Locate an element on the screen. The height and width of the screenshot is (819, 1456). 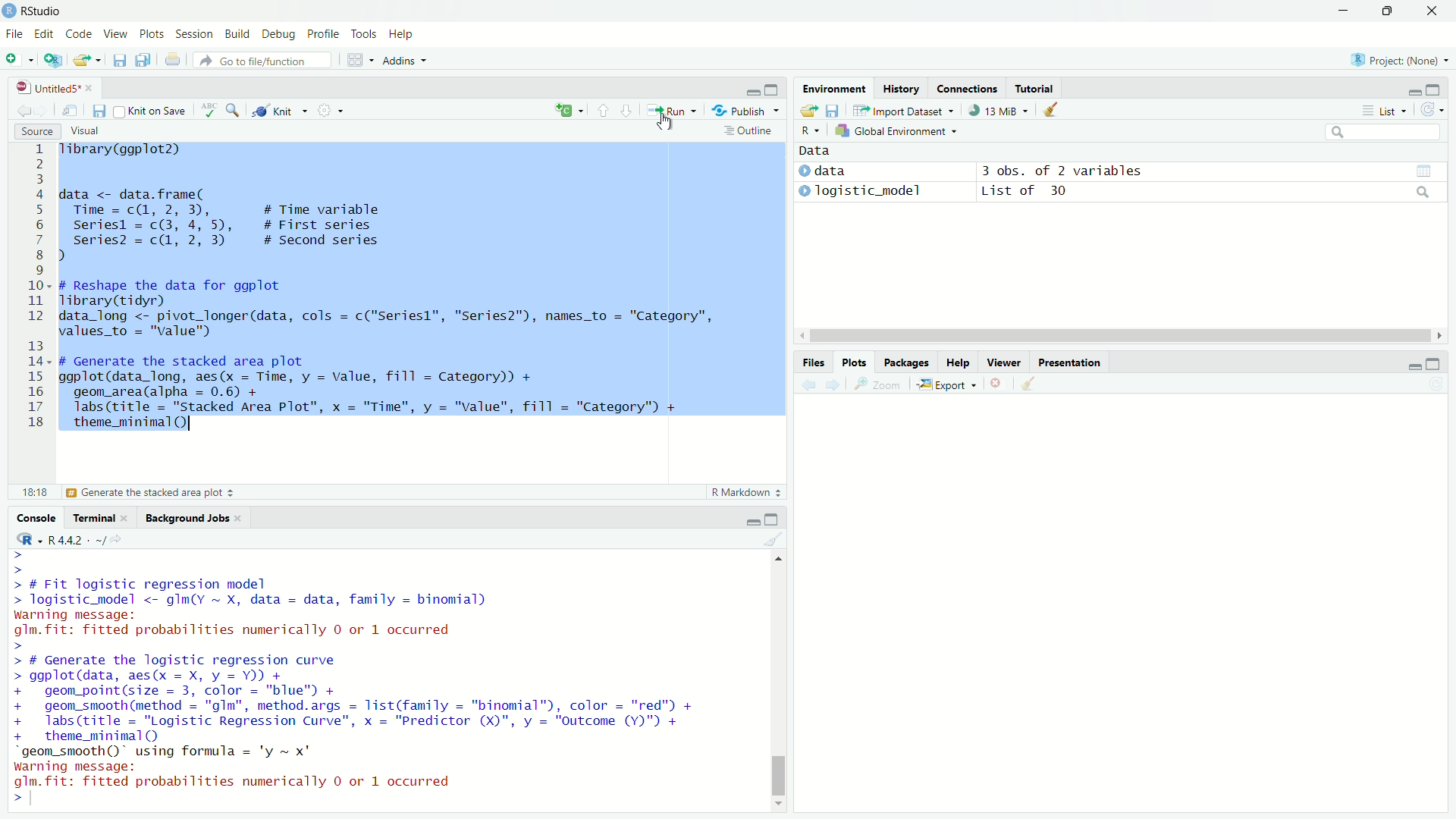
Edit is located at coordinates (44, 33).